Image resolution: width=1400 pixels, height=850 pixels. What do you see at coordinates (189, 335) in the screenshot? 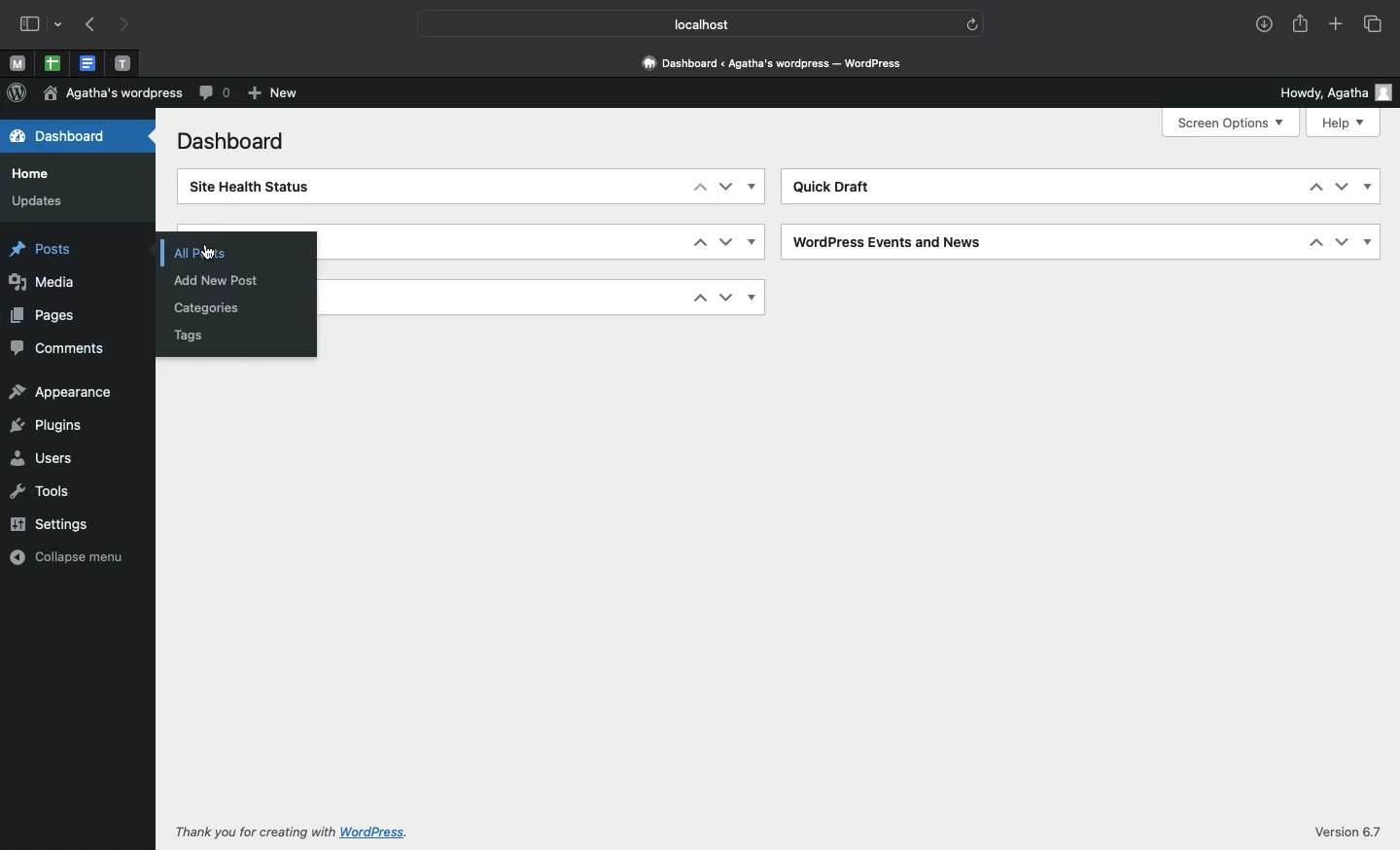
I see `Tags` at bounding box center [189, 335].